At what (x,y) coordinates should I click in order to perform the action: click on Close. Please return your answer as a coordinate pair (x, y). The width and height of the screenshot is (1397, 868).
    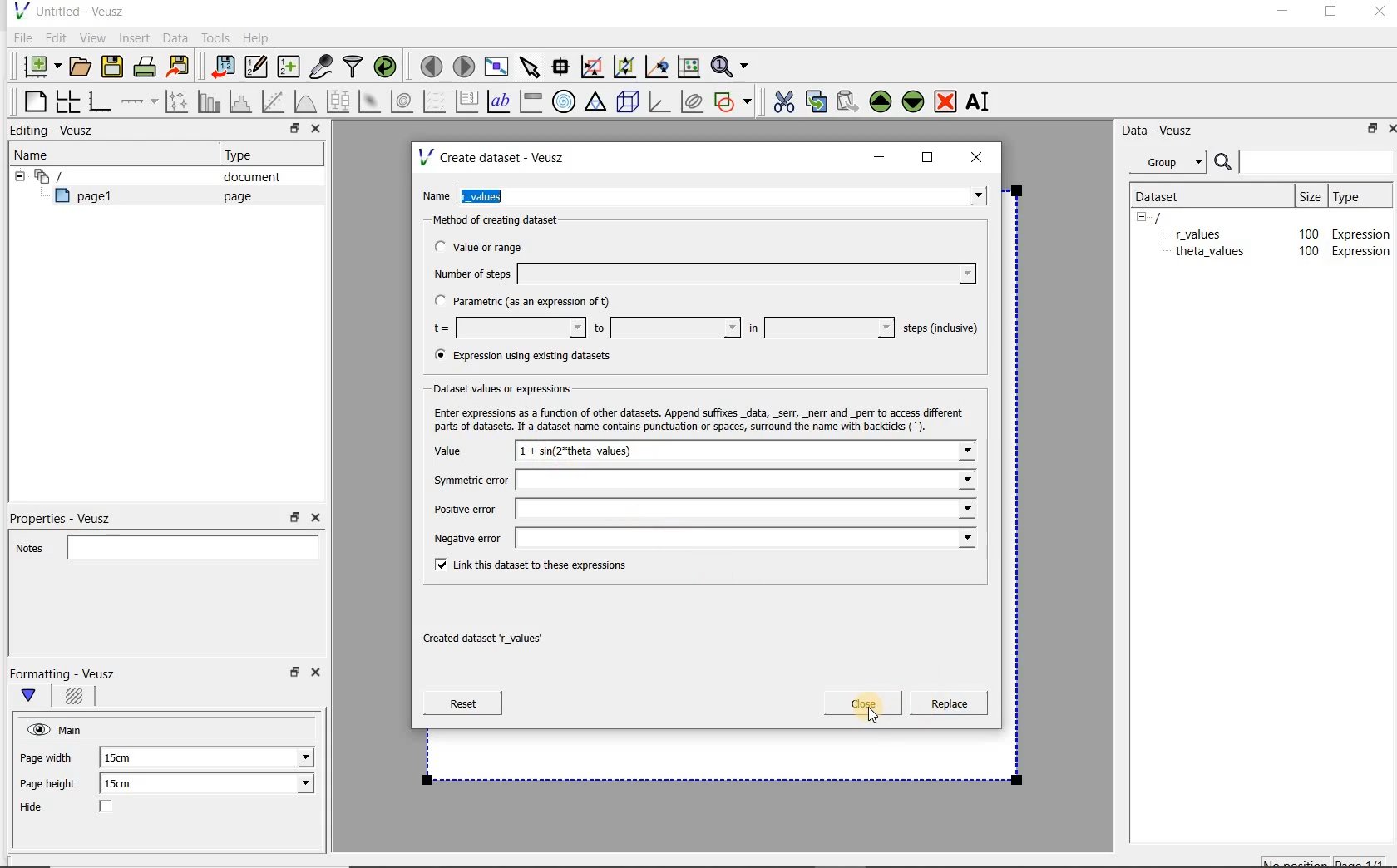
    Looking at the image, I should click on (314, 518).